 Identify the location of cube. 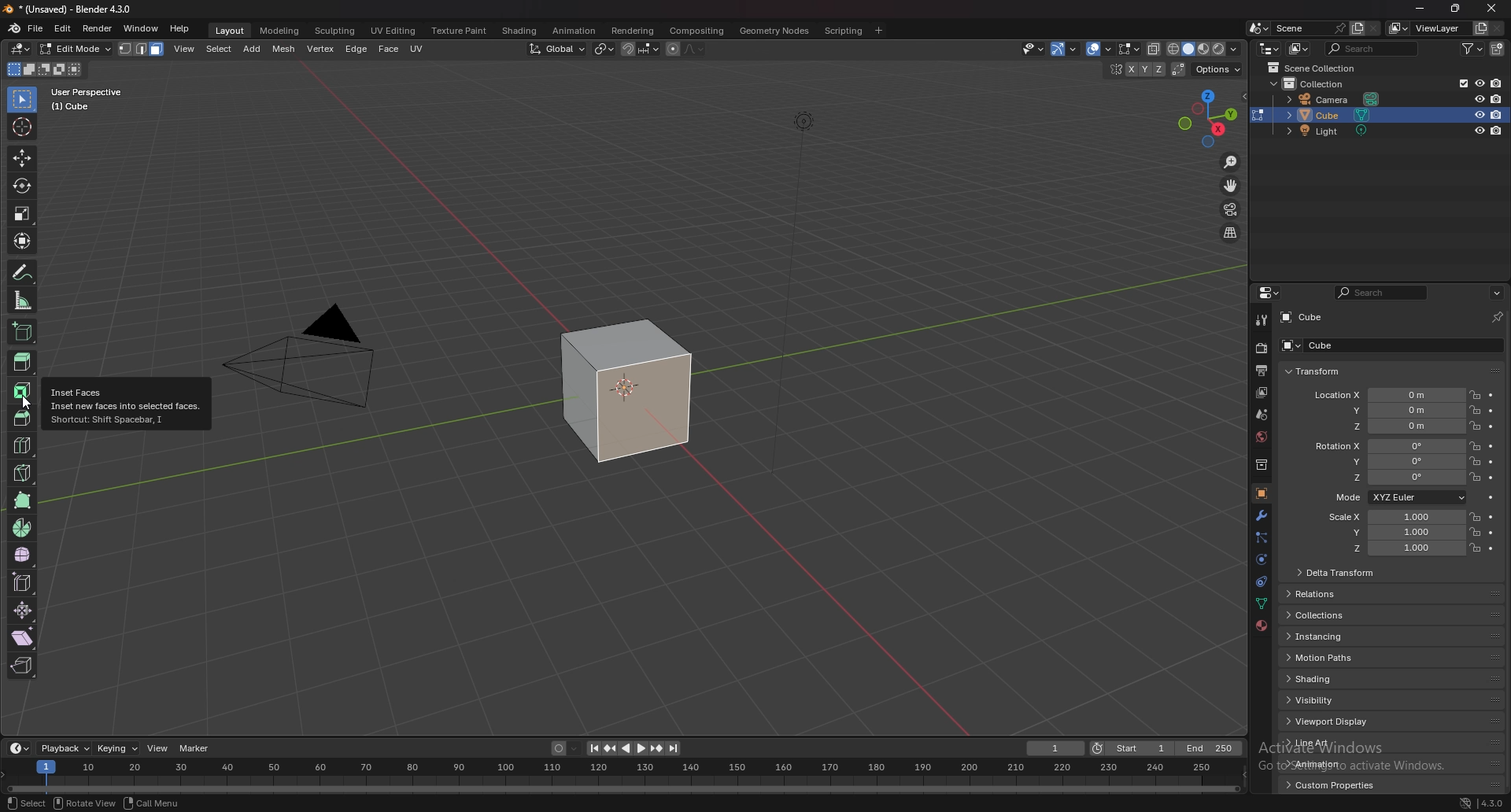
(1334, 115).